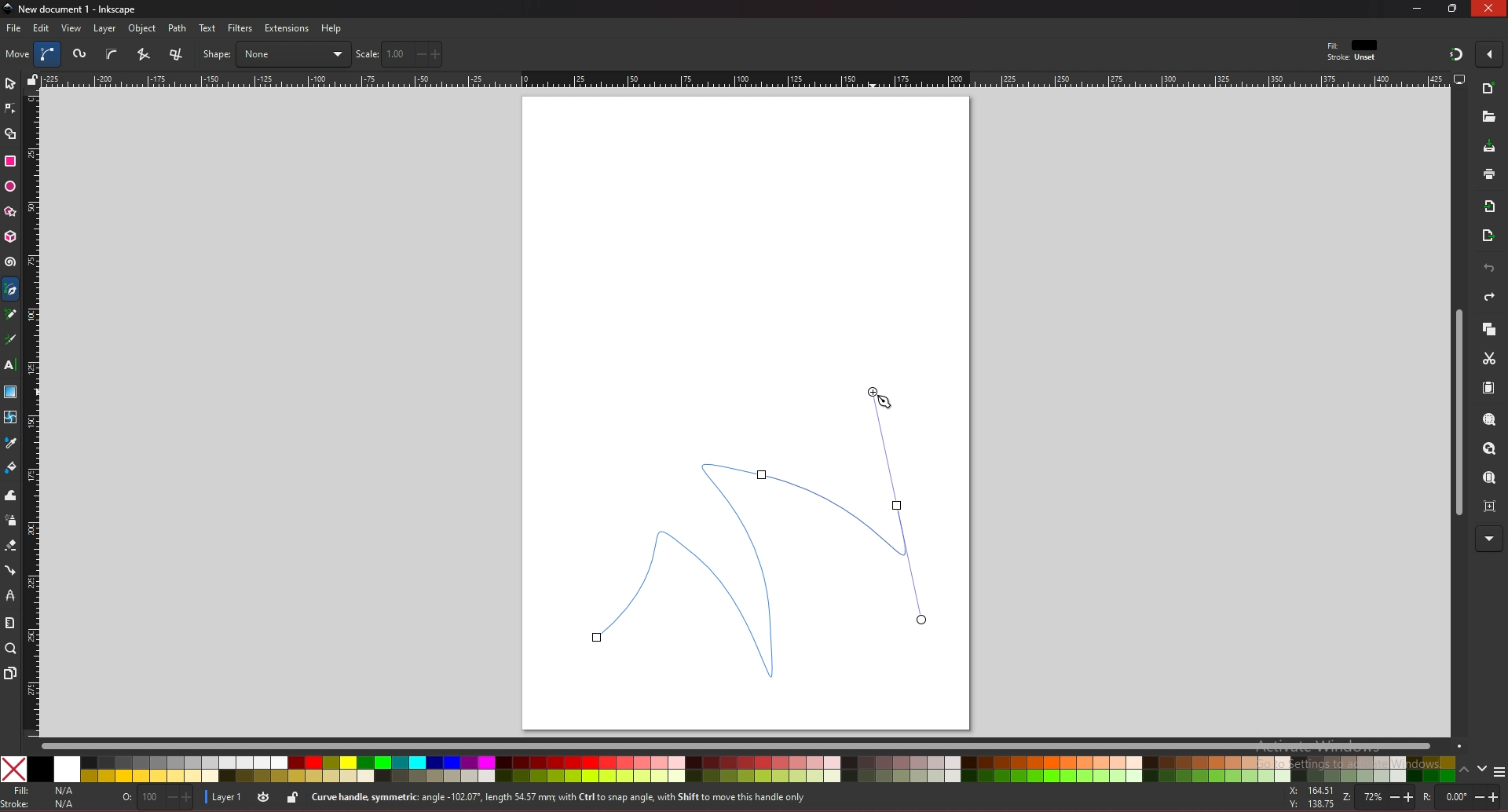 The width and height of the screenshot is (1508, 812). I want to click on bezier curve, so click(49, 54).